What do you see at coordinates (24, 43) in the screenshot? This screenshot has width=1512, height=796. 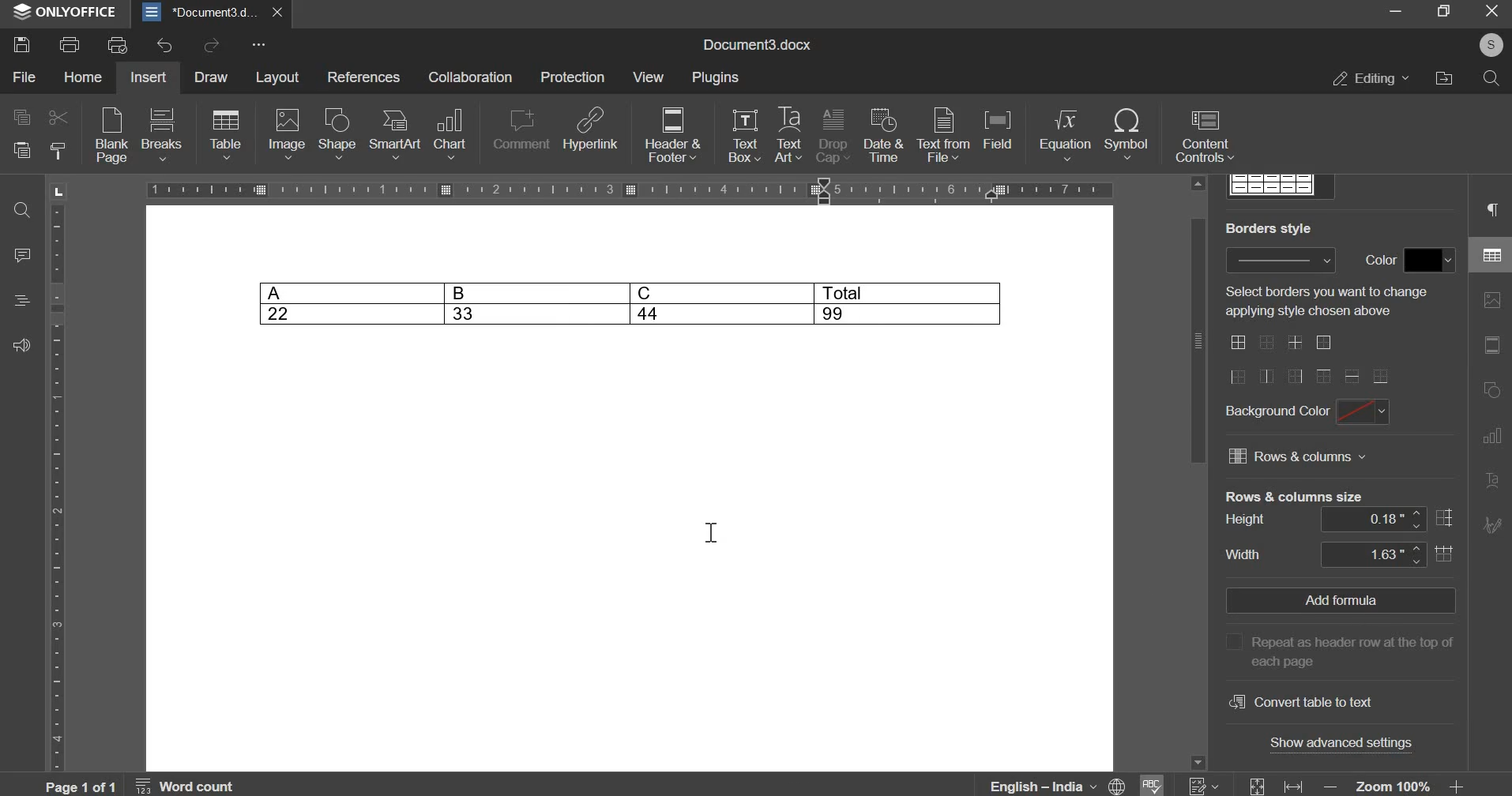 I see `save` at bounding box center [24, 43].